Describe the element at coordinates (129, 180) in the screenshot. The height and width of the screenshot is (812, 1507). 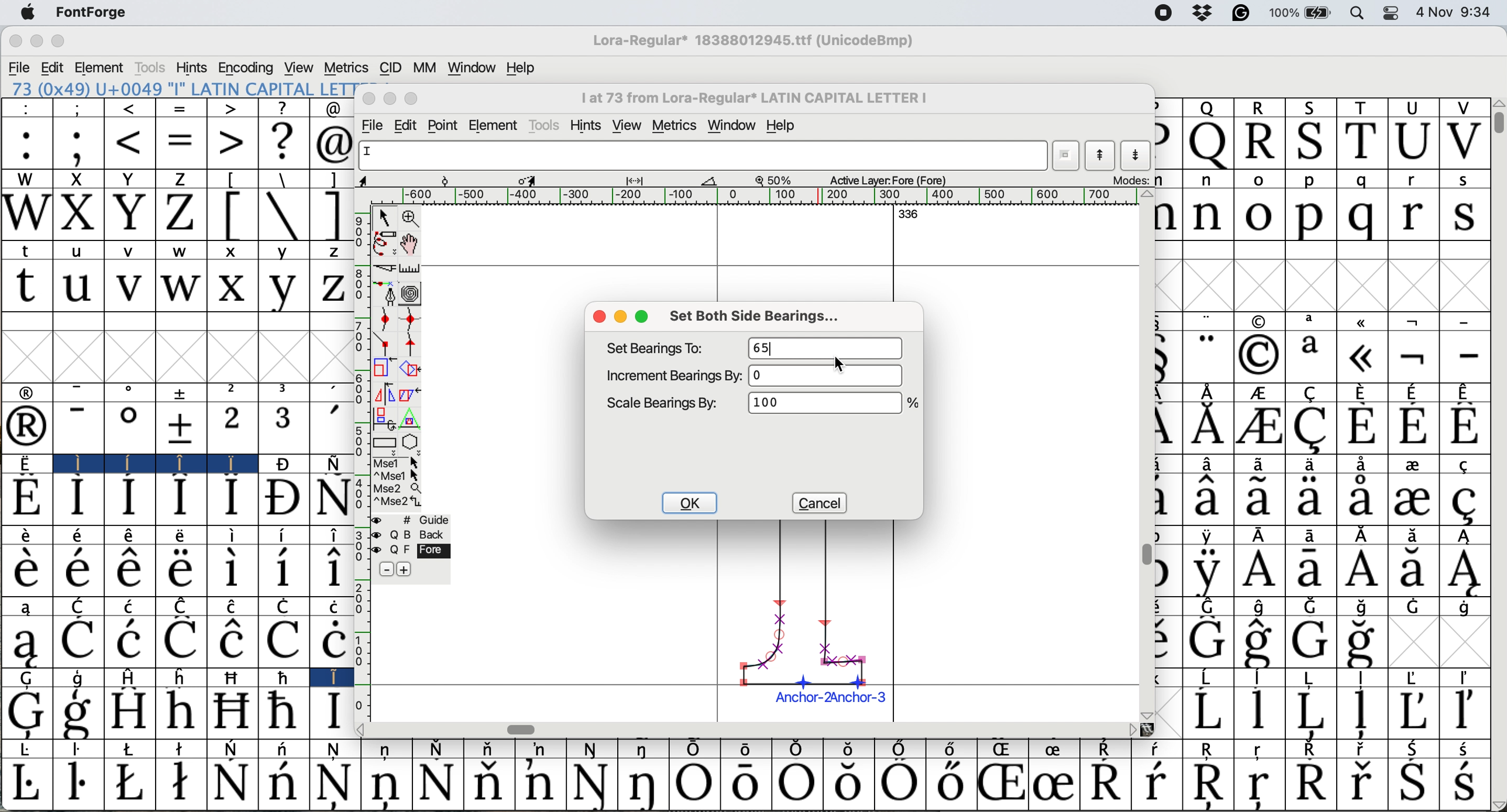
I see `Y` at that location.